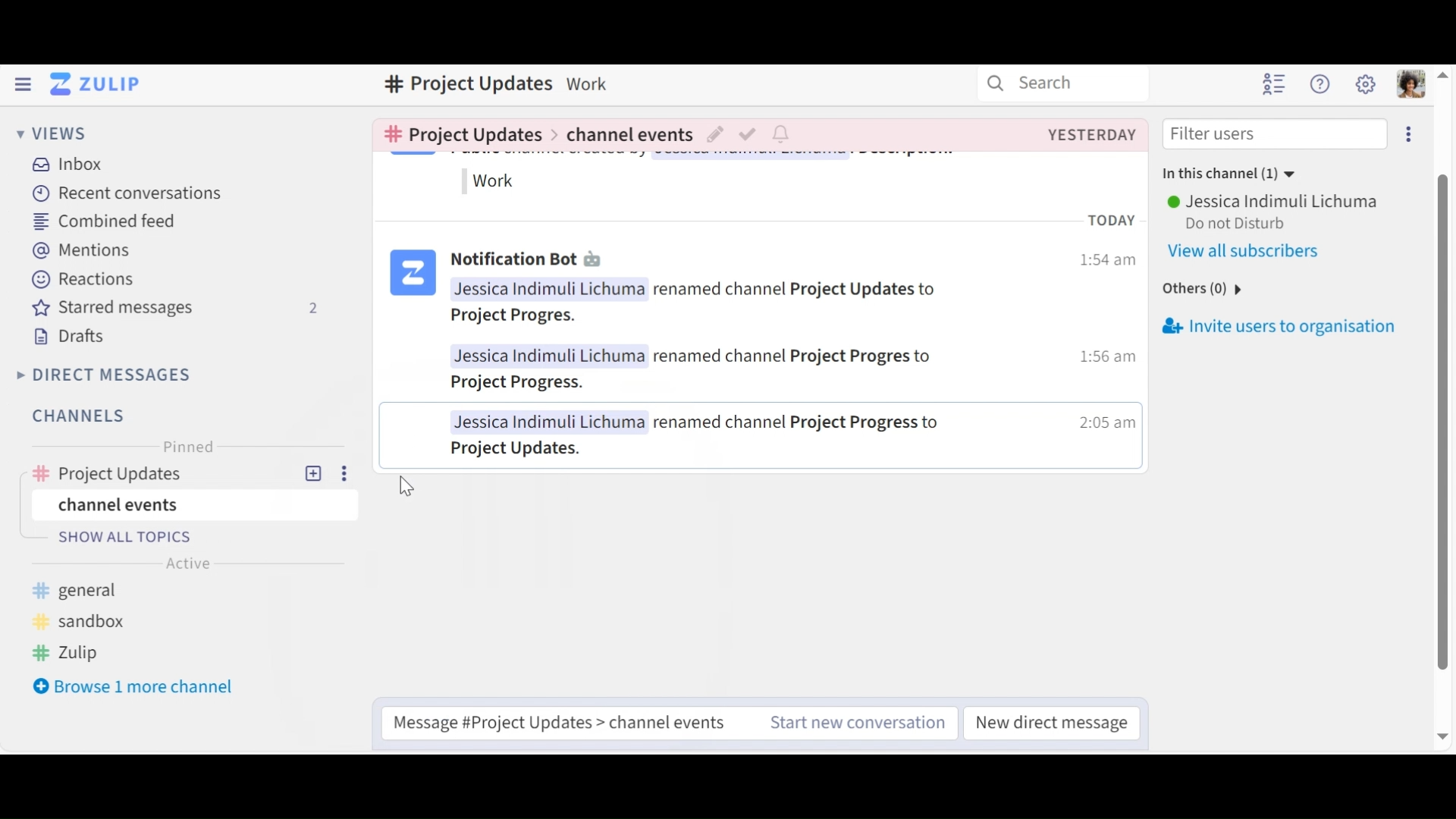  I want to click on Show all topics, so click(207, 538).